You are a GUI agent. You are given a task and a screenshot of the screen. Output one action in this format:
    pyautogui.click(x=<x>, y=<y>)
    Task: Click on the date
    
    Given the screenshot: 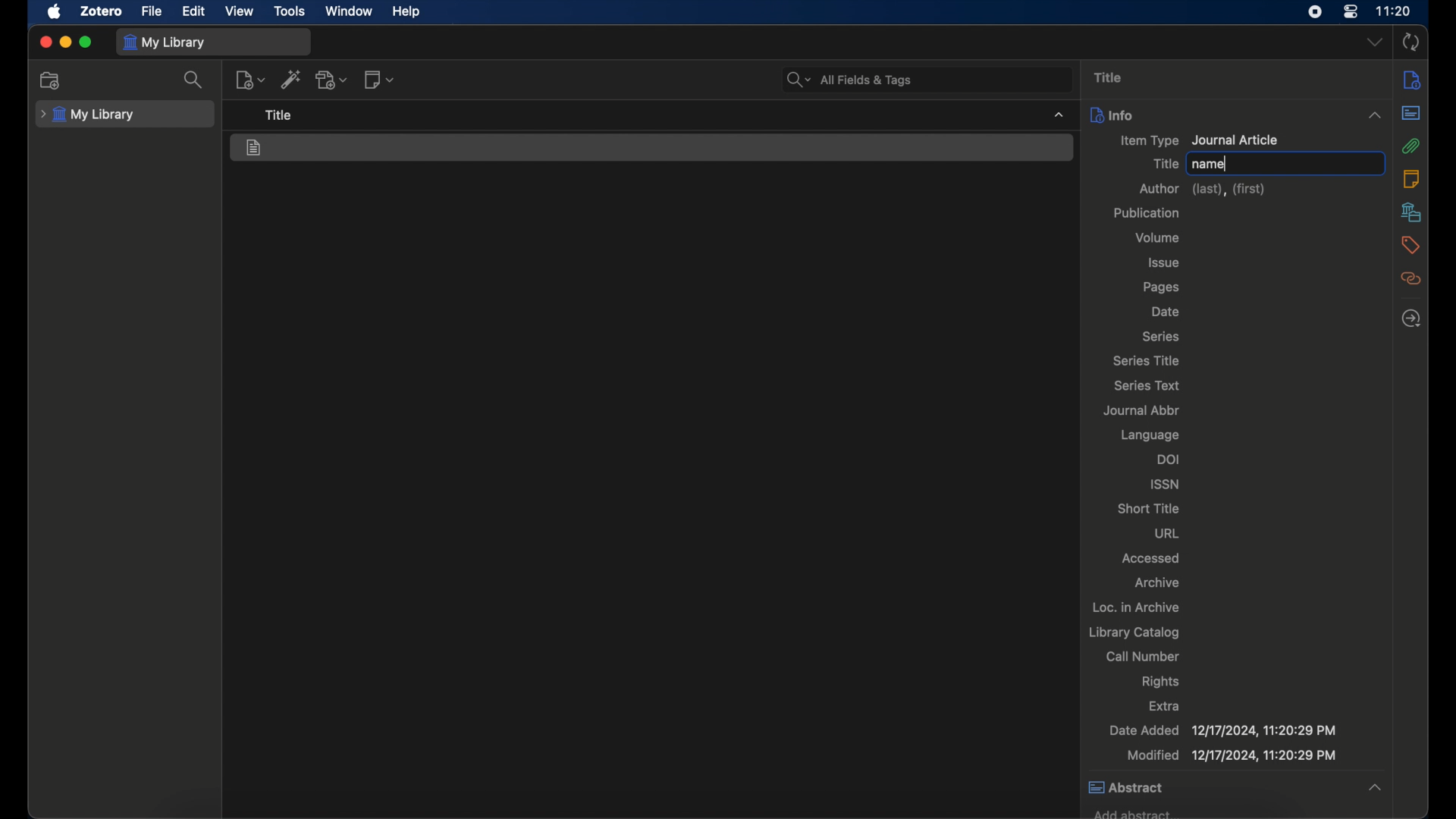 What is the action you would take?
    pyautogui.click(x=1166, y=312)
    